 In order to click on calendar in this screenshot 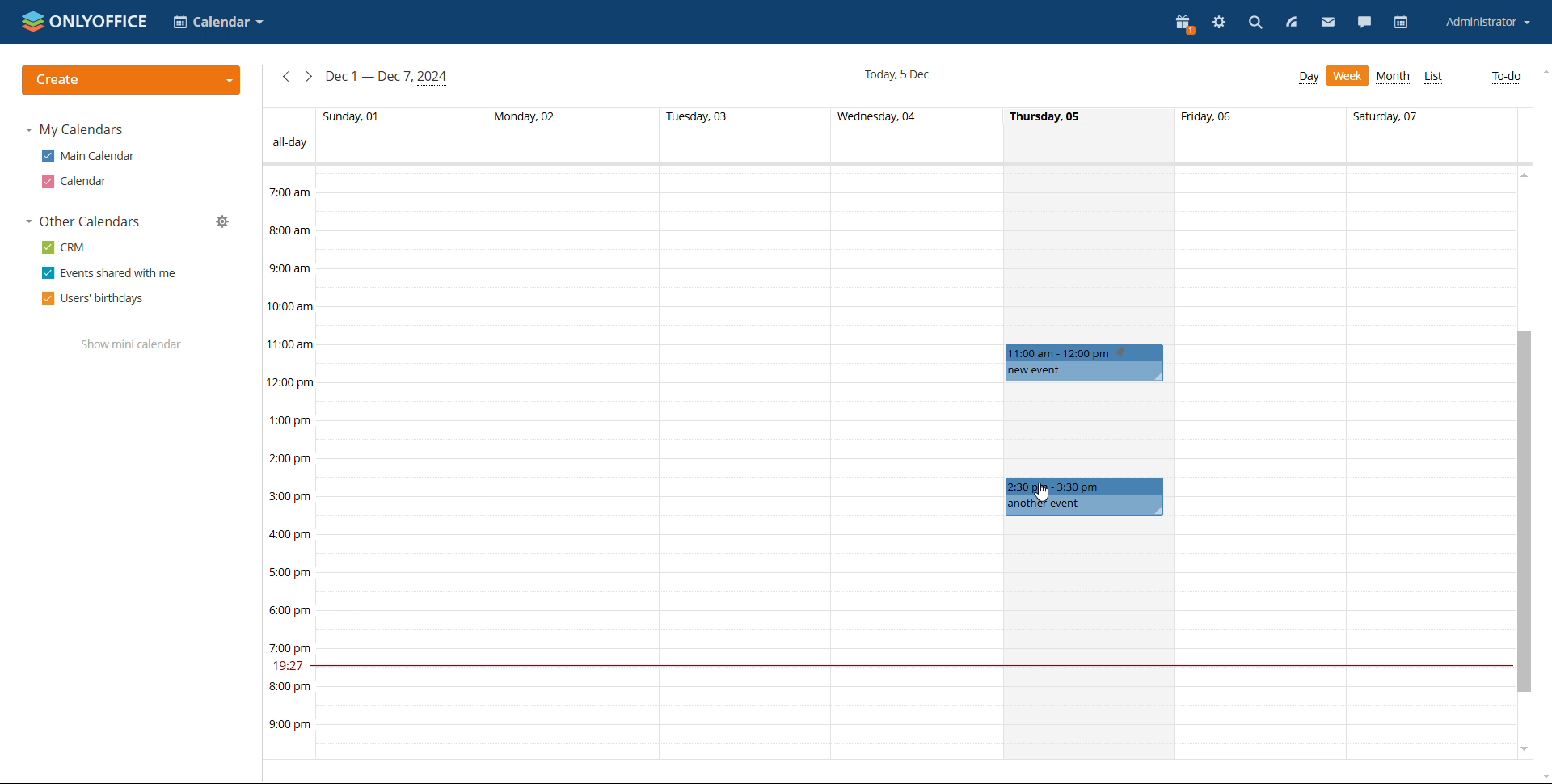, I will do `click(77, 181)`.